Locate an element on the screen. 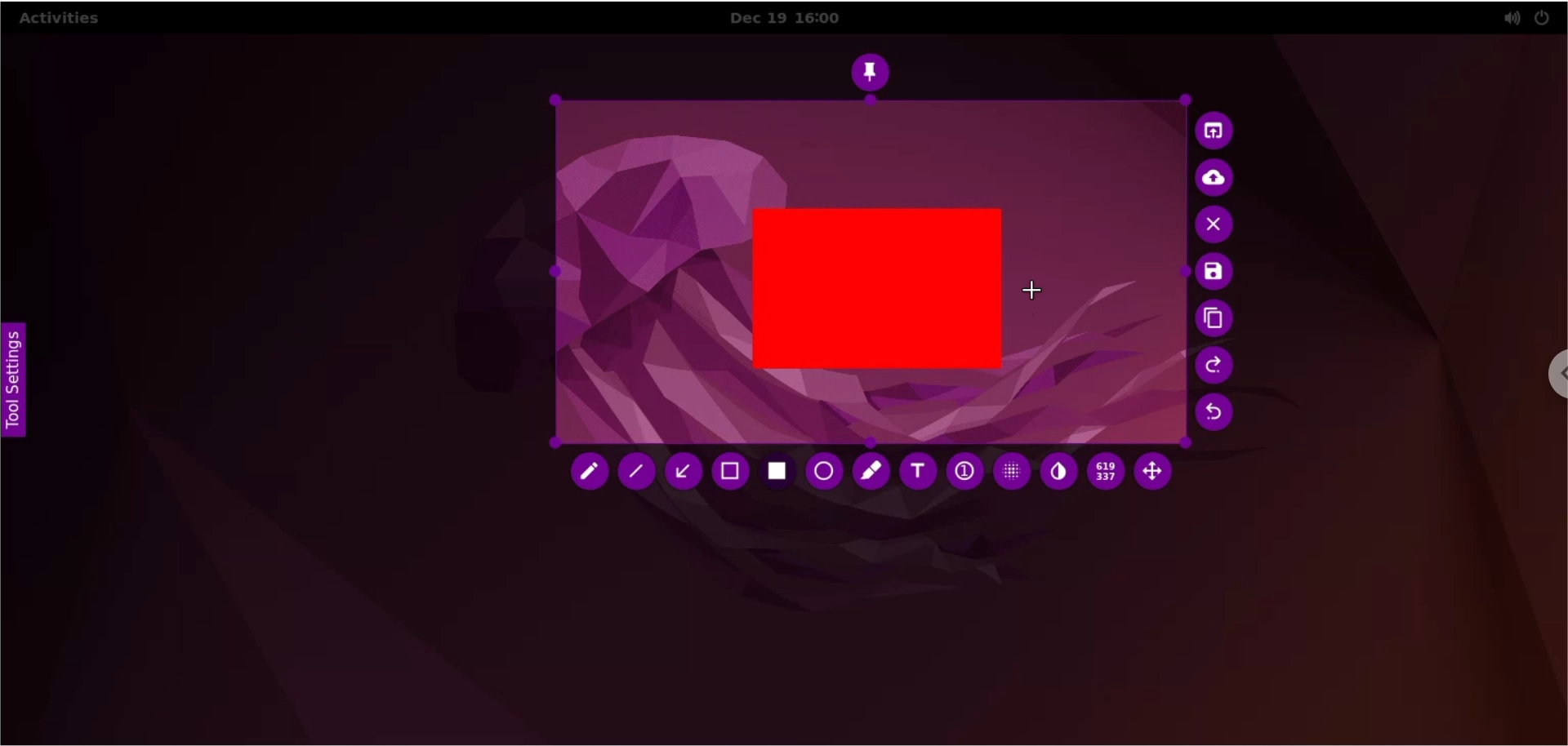 Image resolution: width=1568 pixels, height=746 pixels. pin  is located at coordinates (875, 69).